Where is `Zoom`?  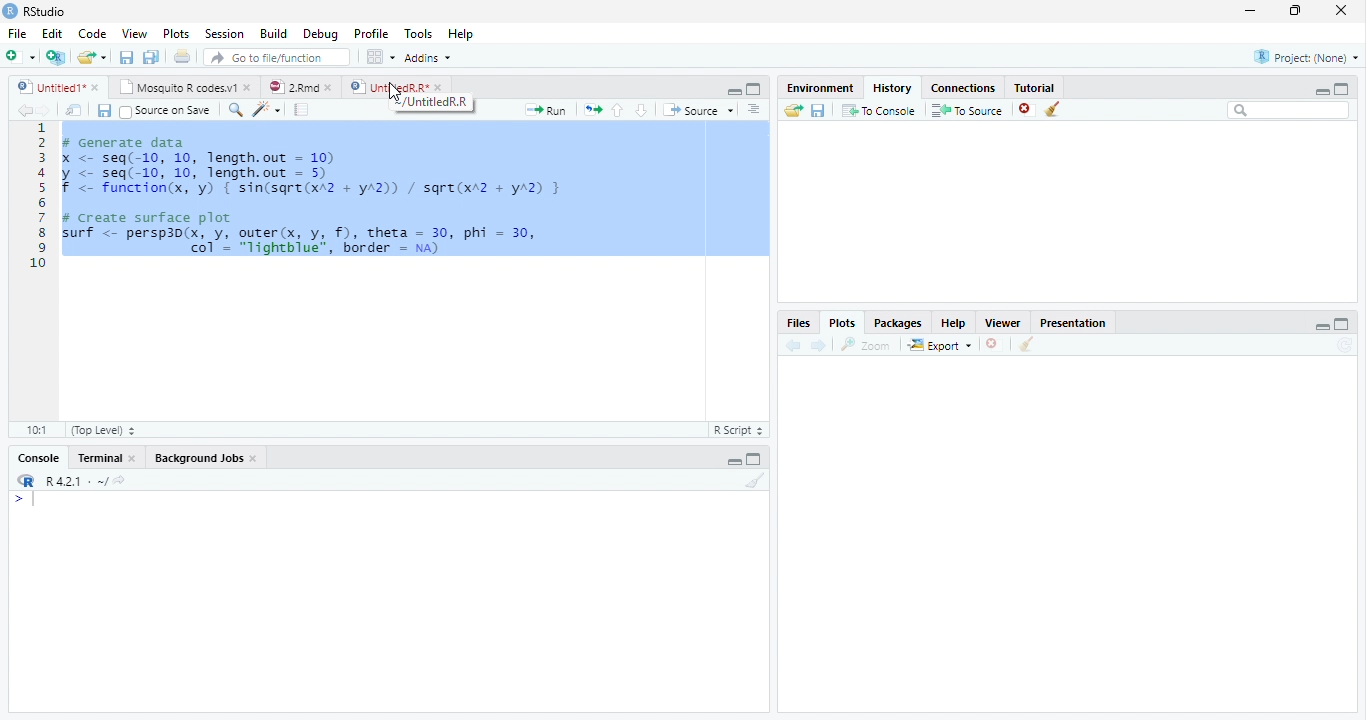
Zoom is located at coordinates (865, 345).